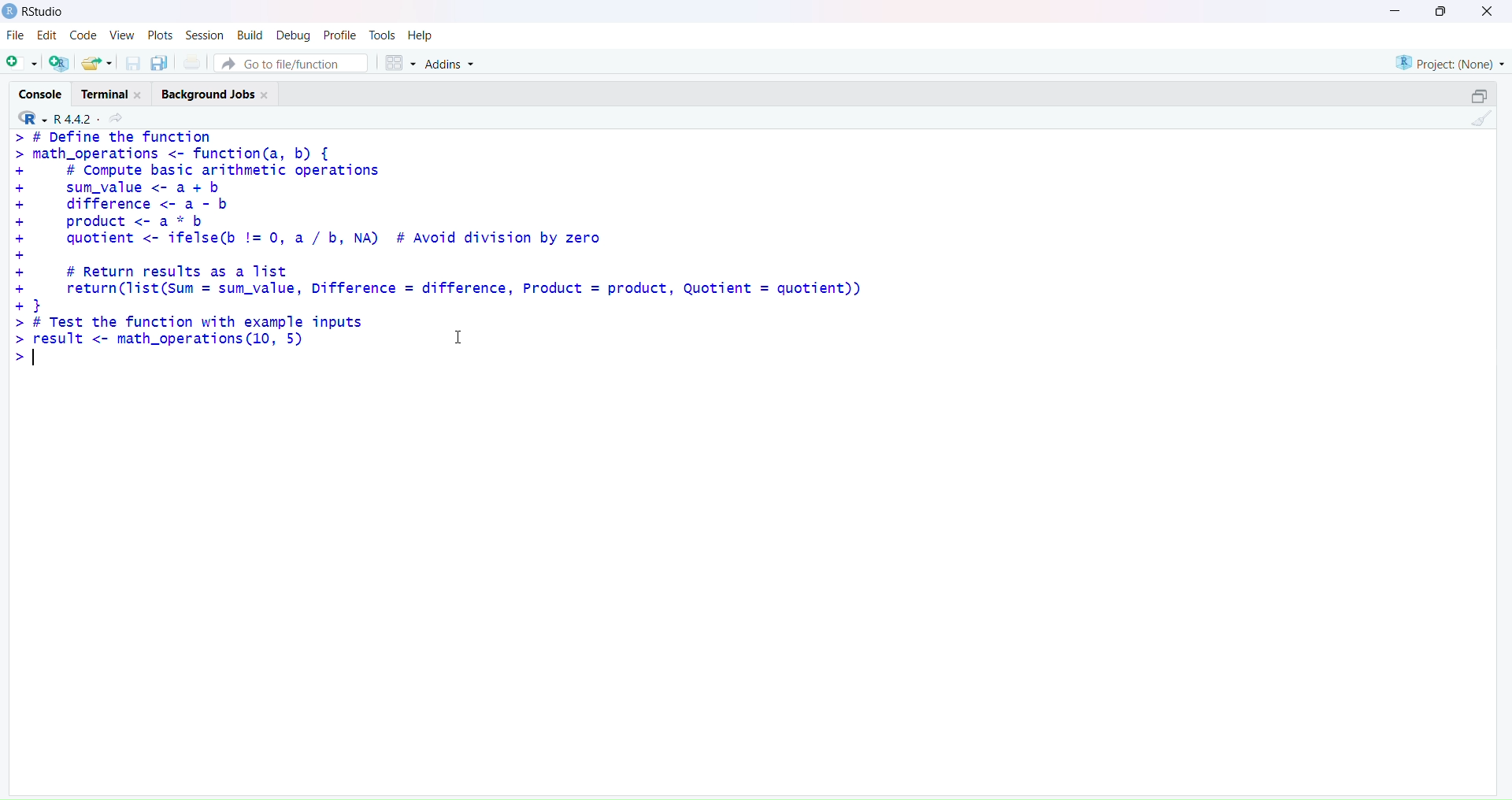  I want to click on Terminal, so click(116, 91).